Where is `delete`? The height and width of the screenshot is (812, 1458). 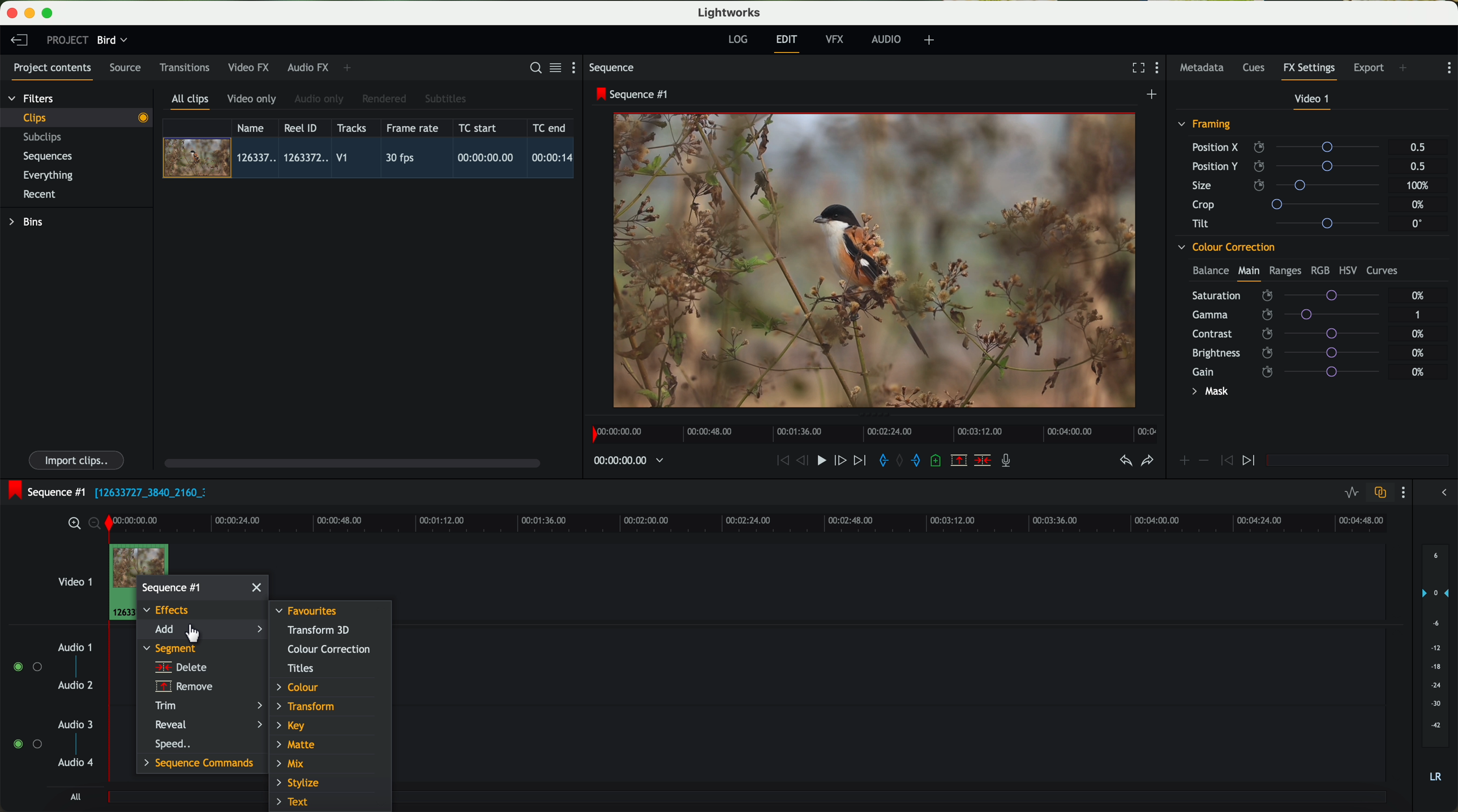 delete is located at coordinates (182, 668).